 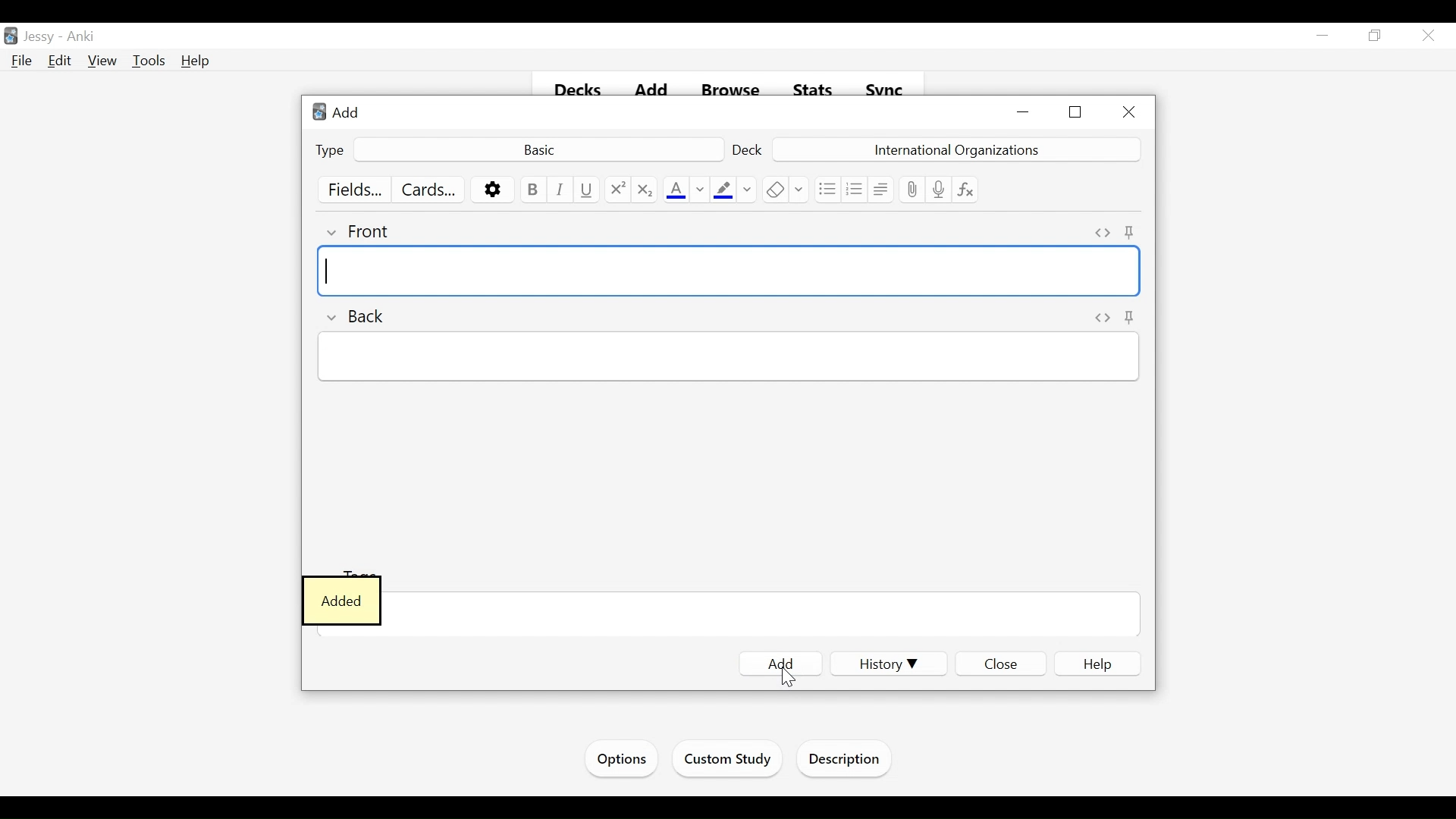 What do you see at coordinates (622, 759) in the screenshot?
I see `Options` at bounding box center [622, 759].